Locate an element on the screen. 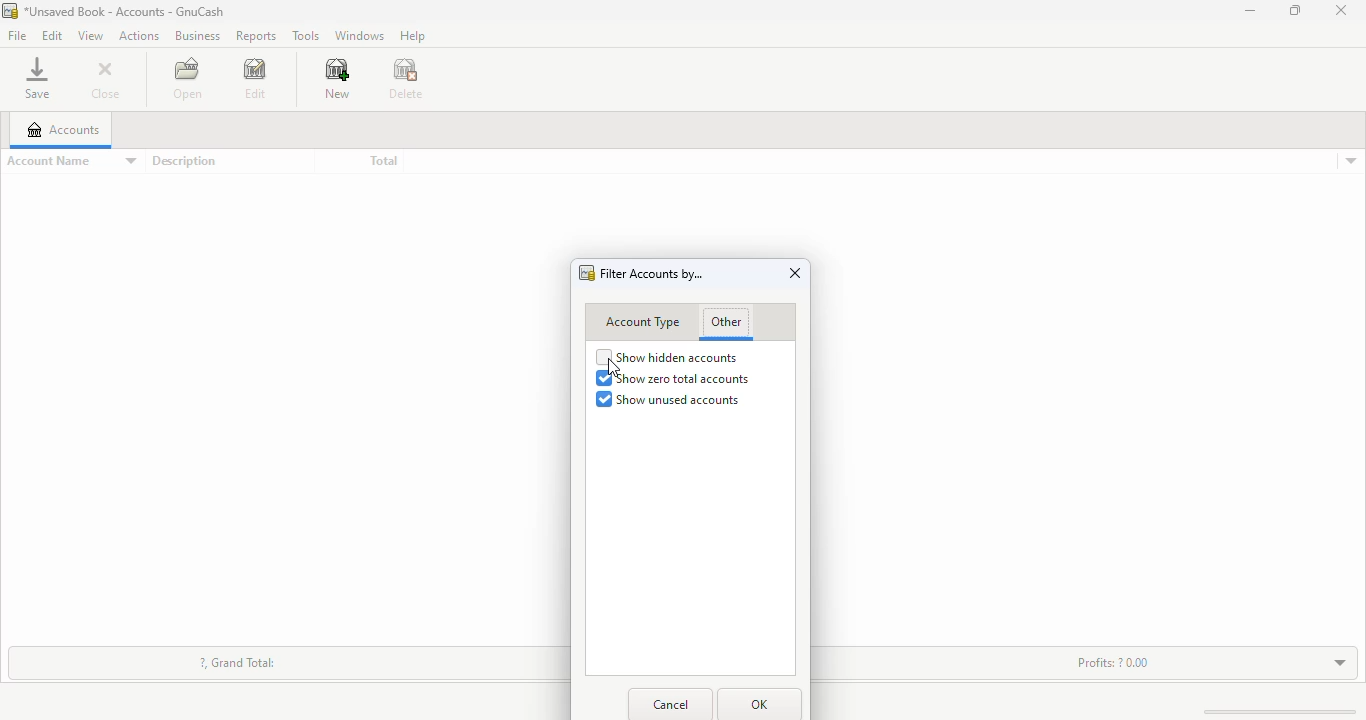 The image size is (1366, 720). description is located at coordinates (183, 161).